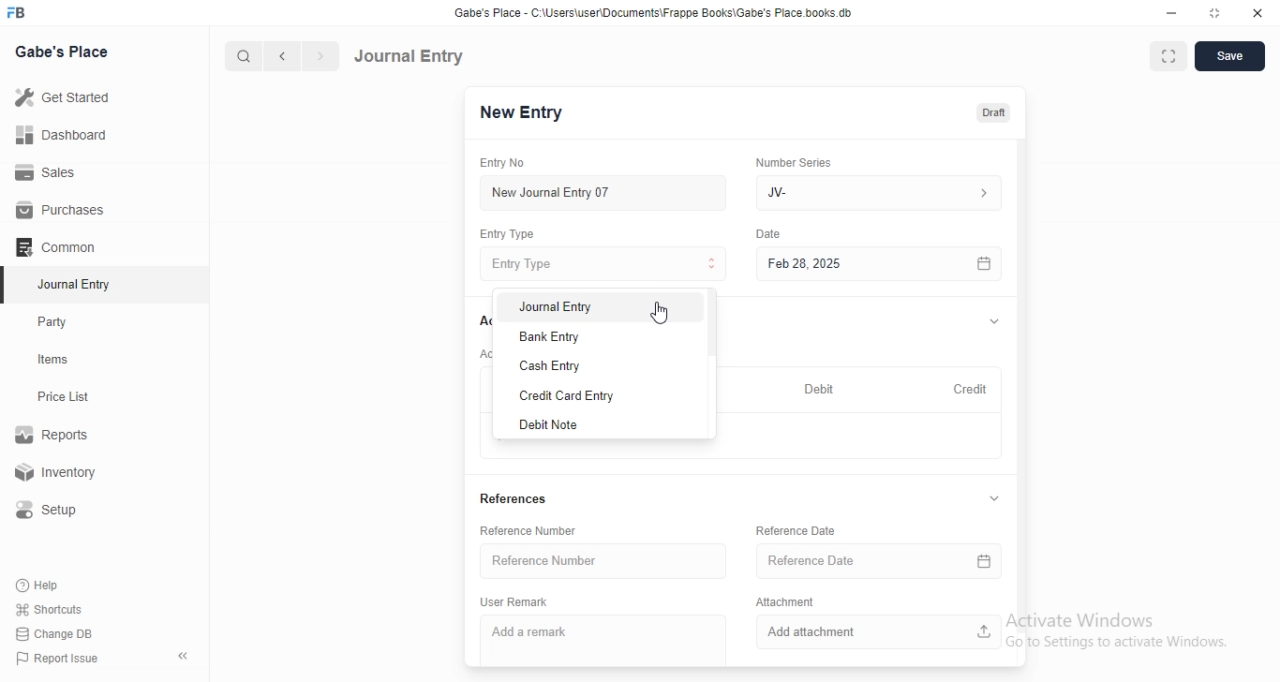  What do you see at coordinates (998, 500) in the screenshot?
I see `v` at bounding box center [998, 500].